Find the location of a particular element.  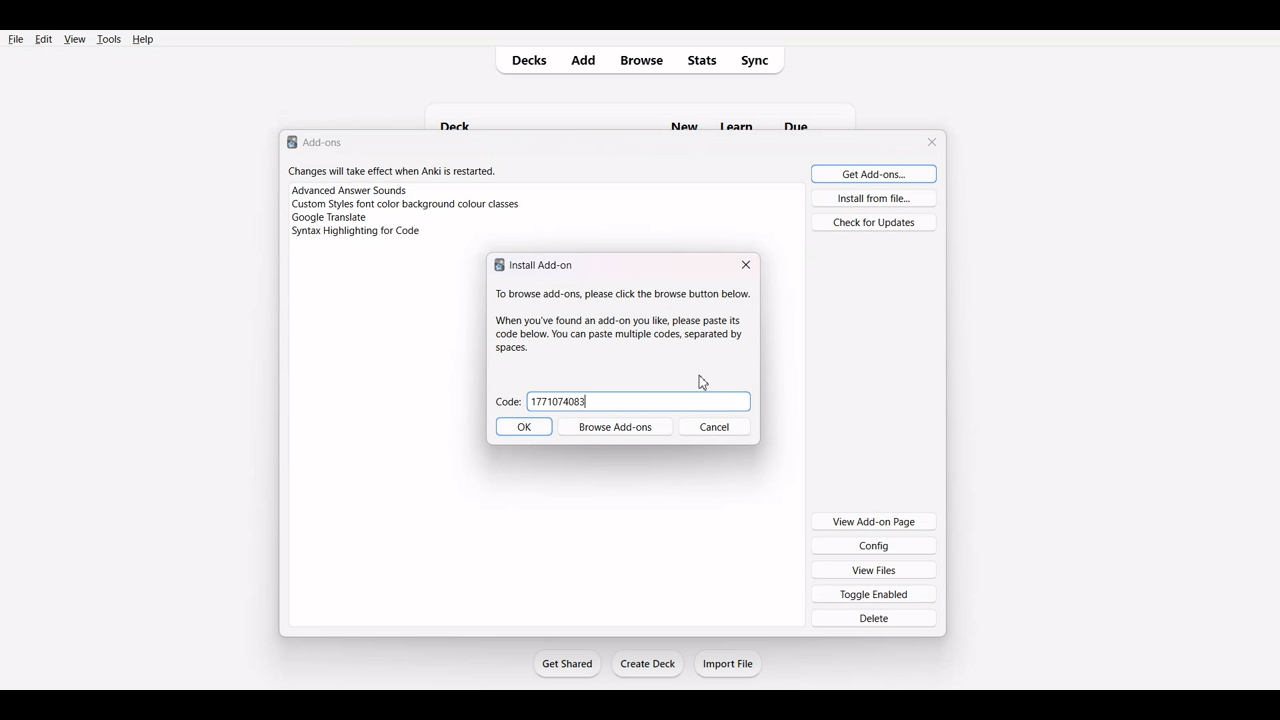

Check for Updates is located at coordinates (874, 221).